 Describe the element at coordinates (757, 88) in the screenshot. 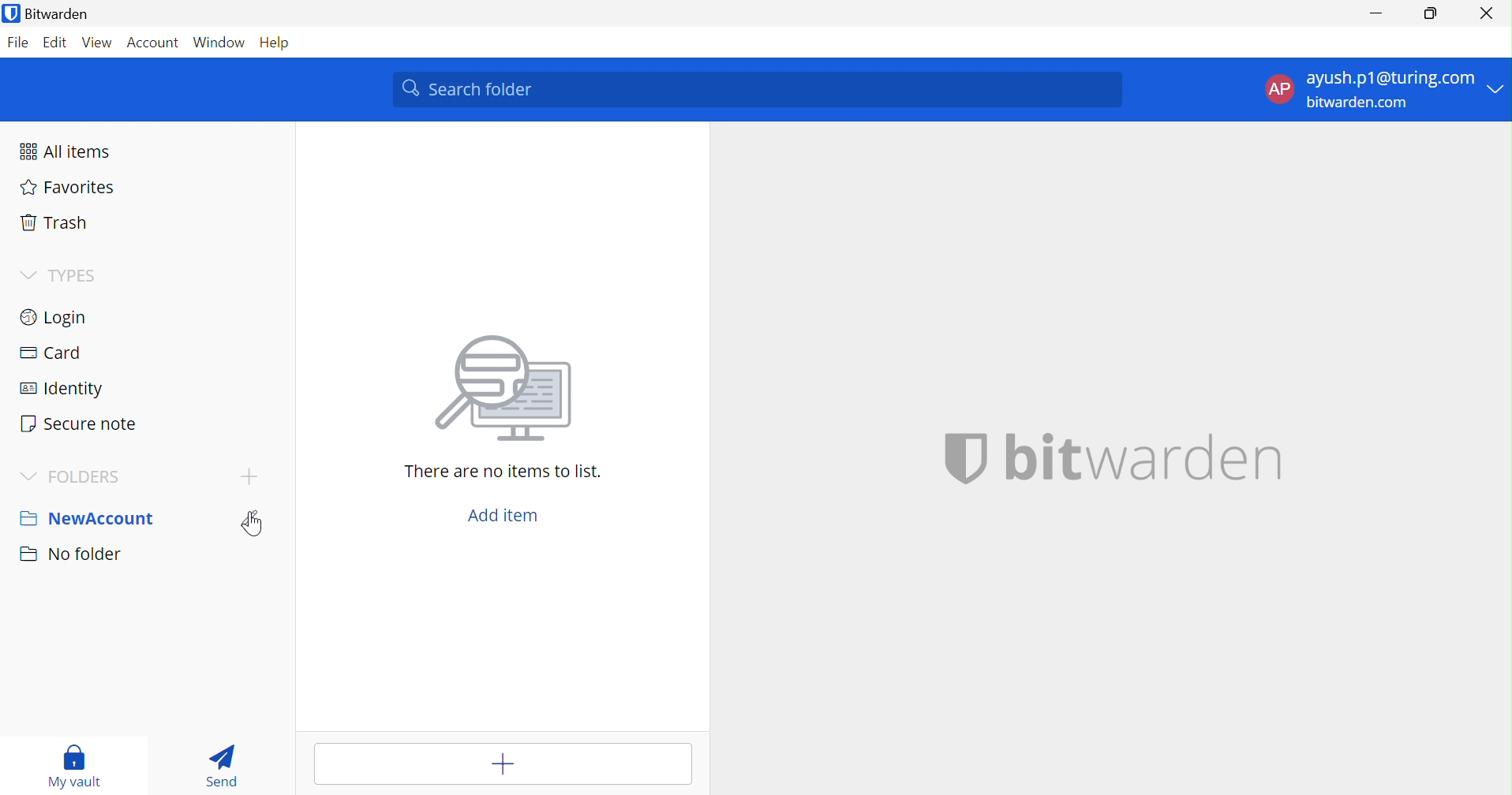

I see `Search Vault` at that location.